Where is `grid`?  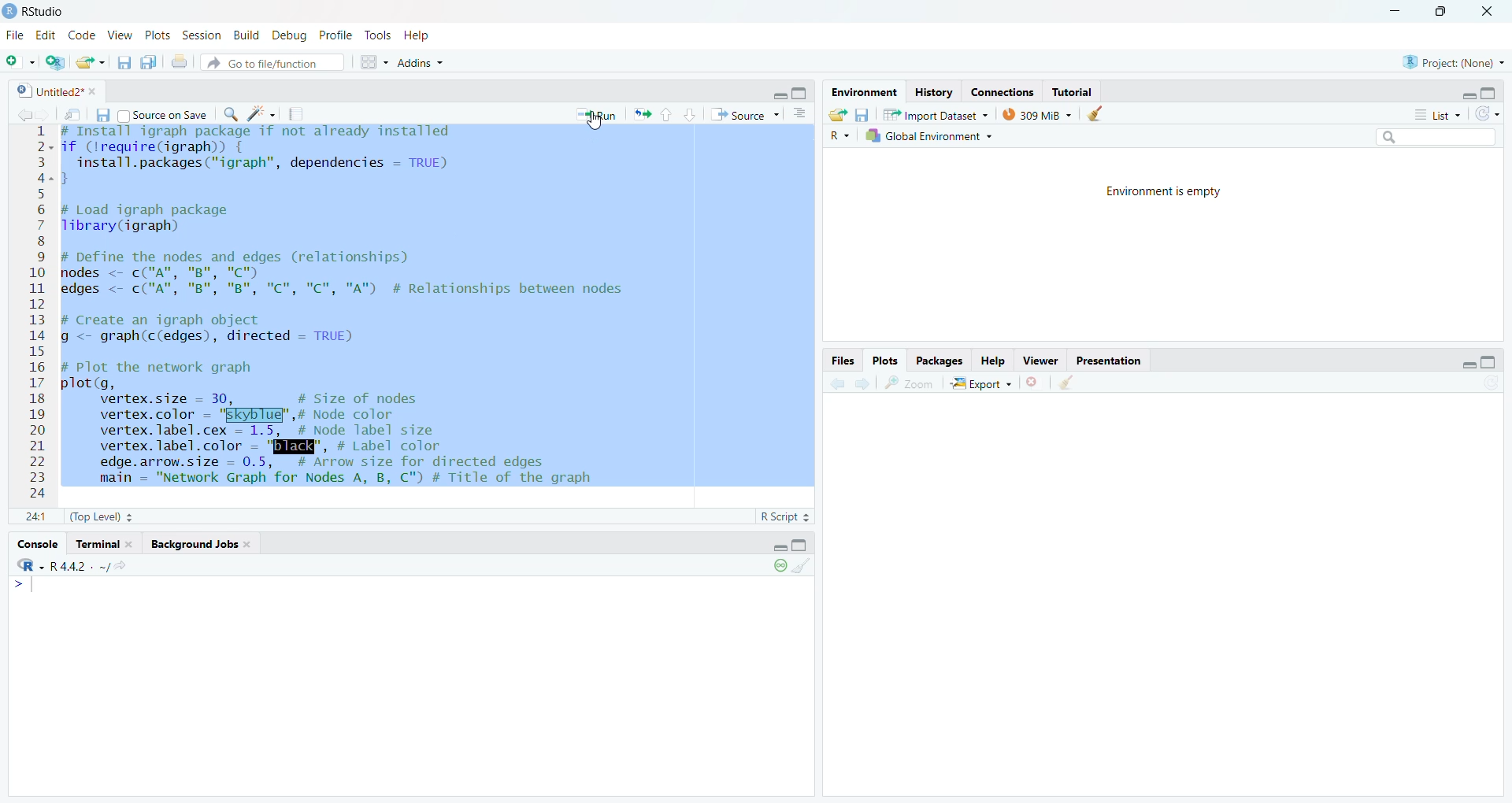
grid is located at coordinates (368, 65).